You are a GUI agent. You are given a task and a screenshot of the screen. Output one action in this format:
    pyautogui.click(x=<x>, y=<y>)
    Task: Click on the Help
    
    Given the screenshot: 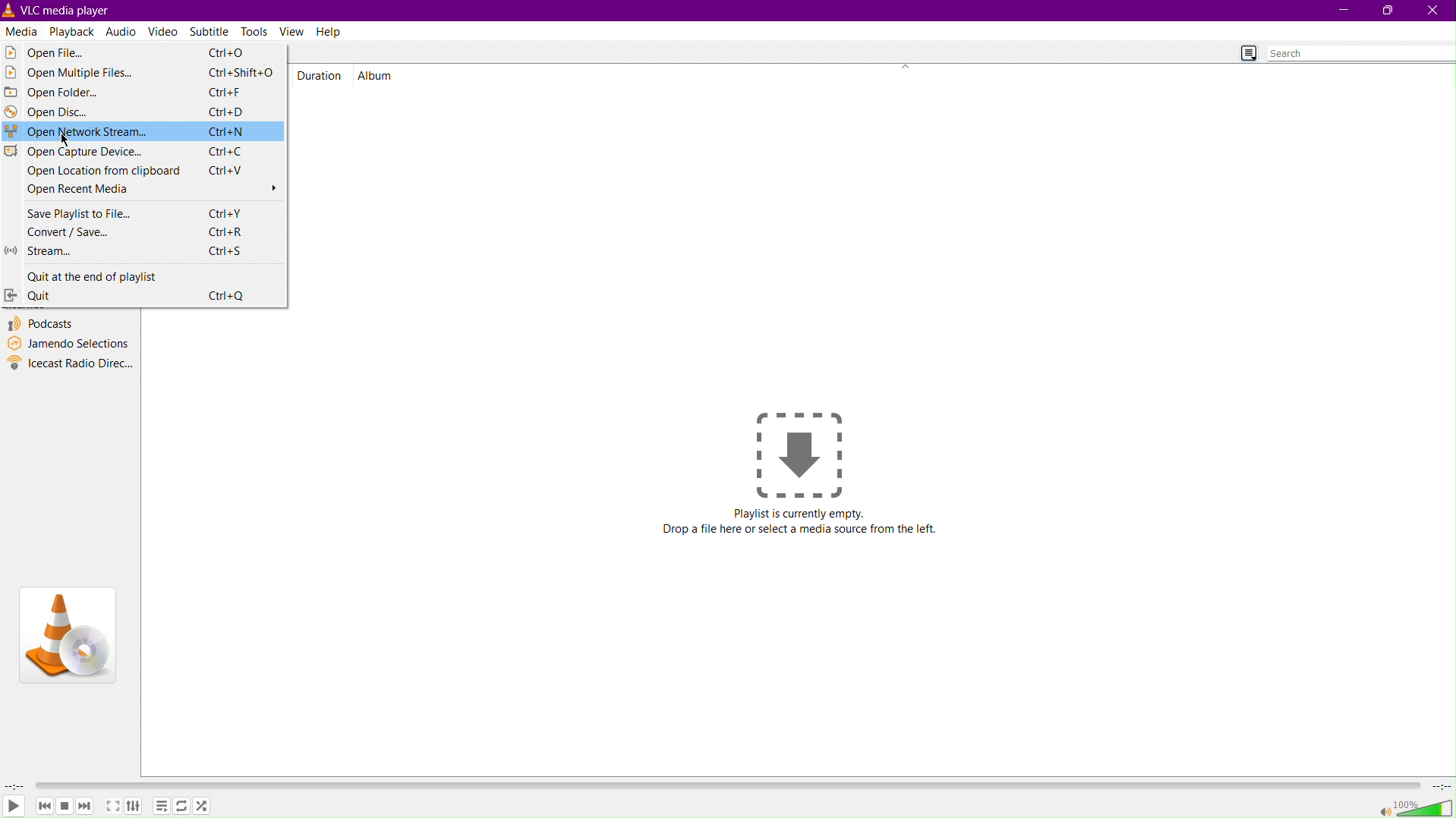 What is the action you would take?
    pyautogui.click(x=328, y=32)
    